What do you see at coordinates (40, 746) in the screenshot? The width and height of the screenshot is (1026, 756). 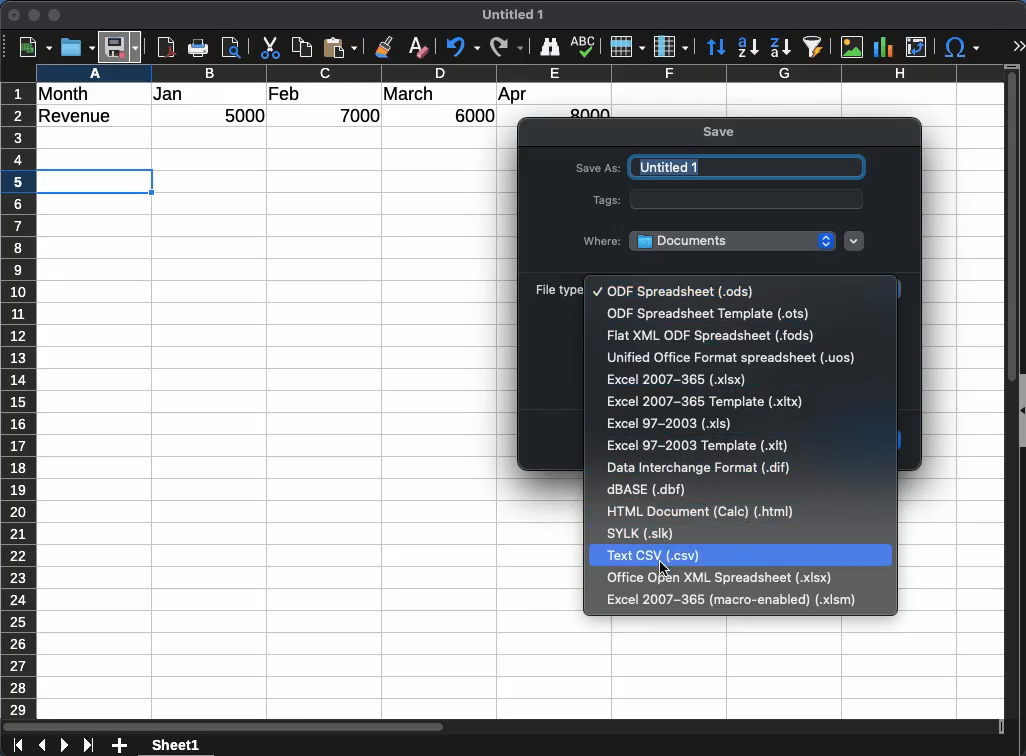 I see `previous sheet` at bounding box center [40, 746].